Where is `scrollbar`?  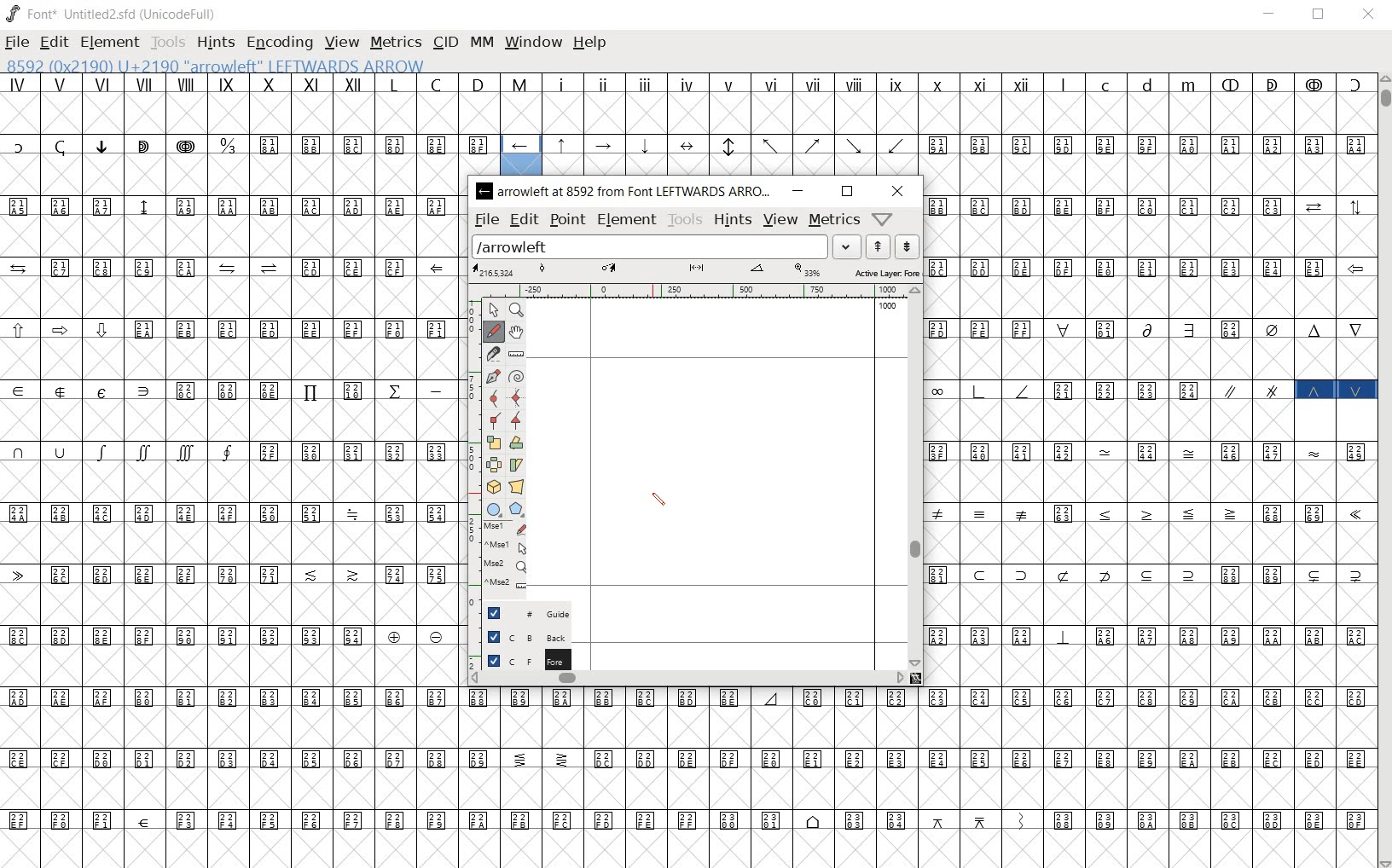
scrollbar is located at coordinates (1383, 471).